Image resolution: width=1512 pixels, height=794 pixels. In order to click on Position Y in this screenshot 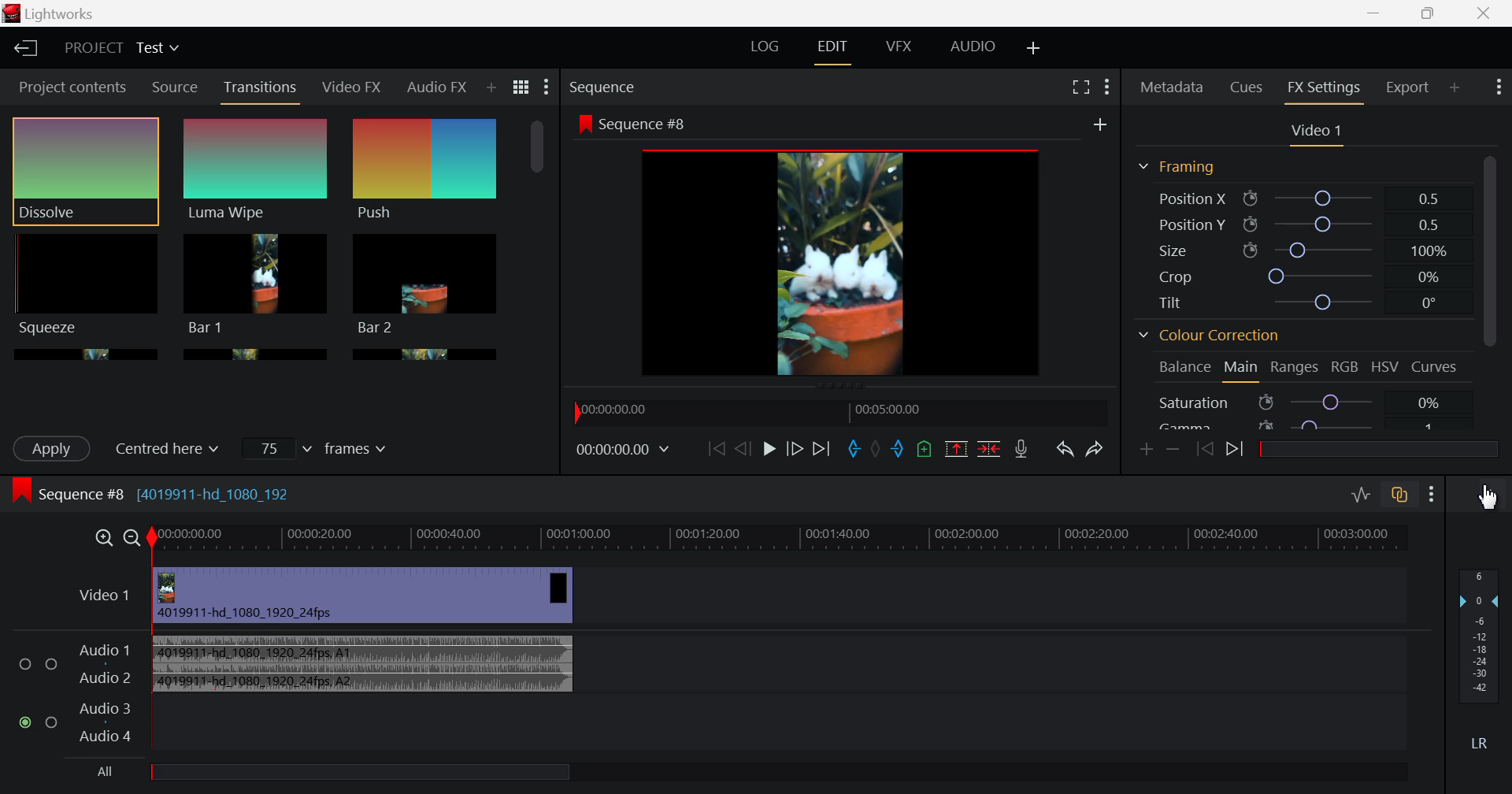, I will do `click(1301, 221)`.